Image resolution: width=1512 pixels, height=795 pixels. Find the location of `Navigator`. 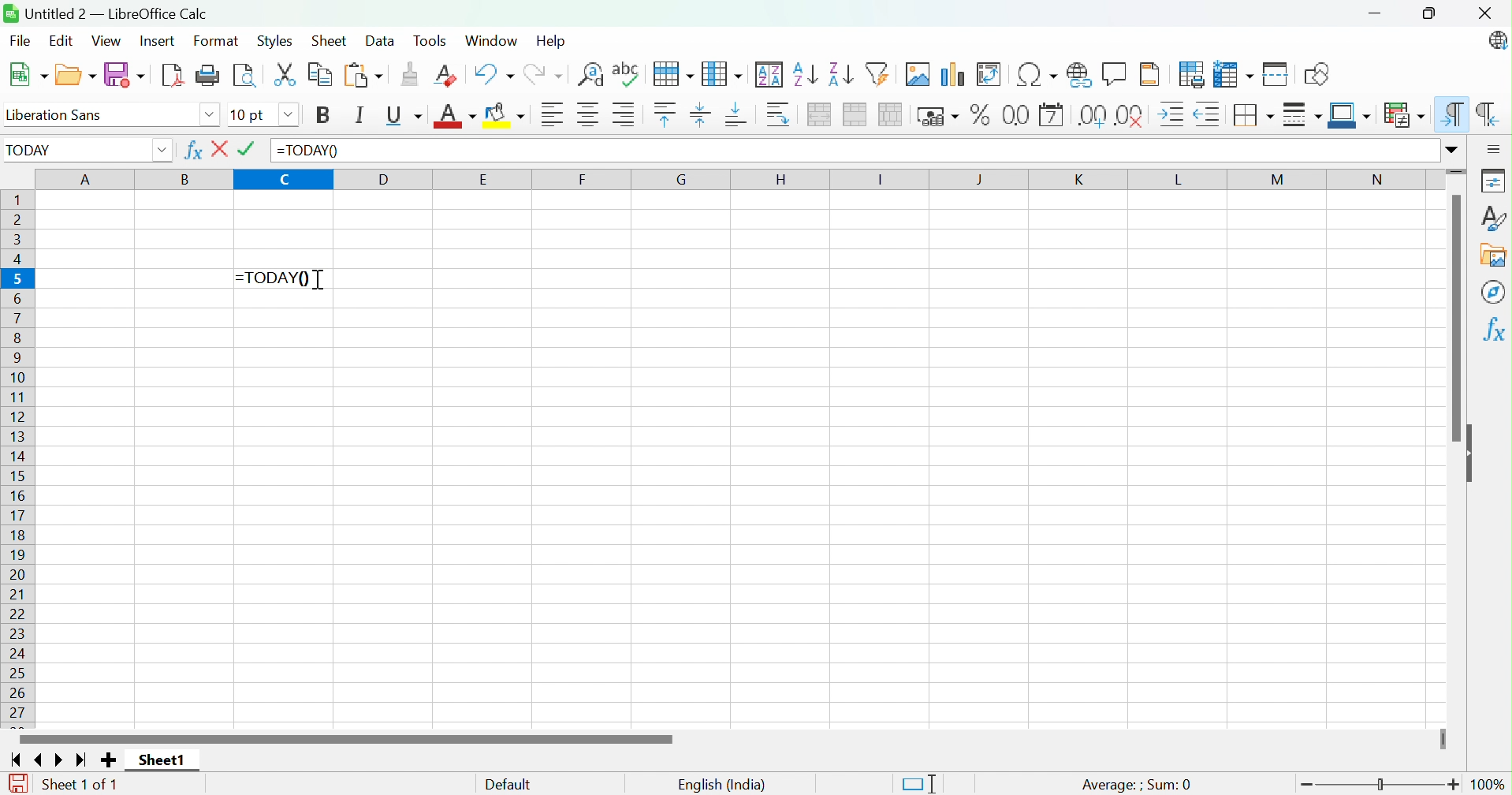

Navigator is located at coordinates (1494, 292).